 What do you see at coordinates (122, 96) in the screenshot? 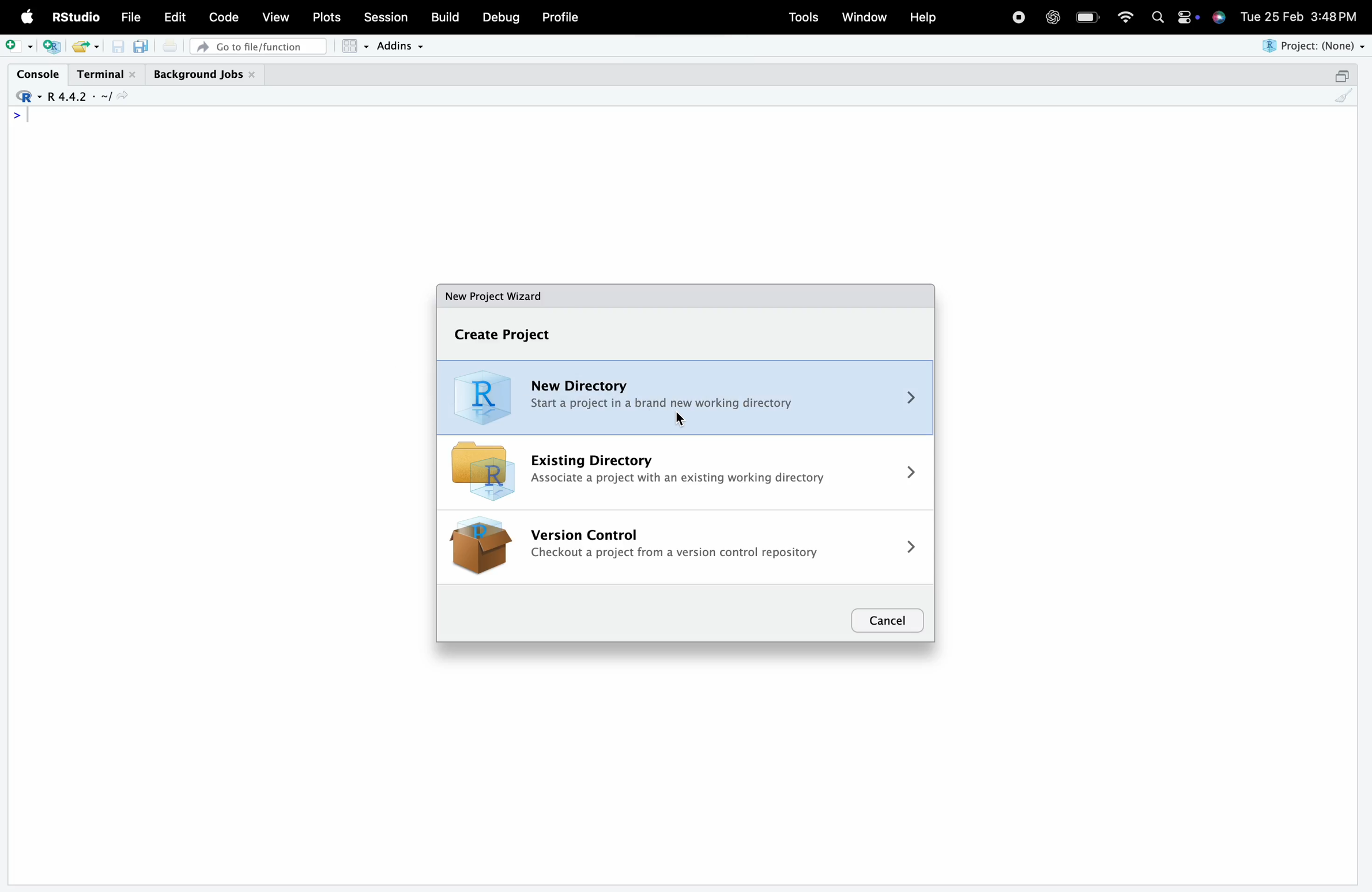
I see `view the current working directory` at bounding box center [122, 96].